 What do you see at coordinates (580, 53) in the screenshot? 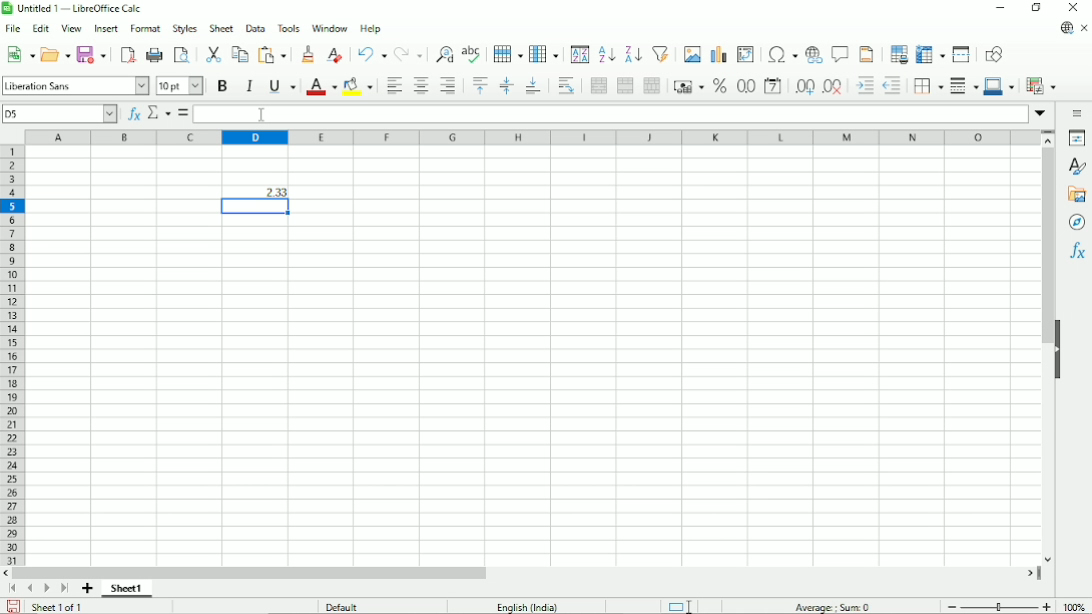
I see `Sort` at bounding box center [580, 53].